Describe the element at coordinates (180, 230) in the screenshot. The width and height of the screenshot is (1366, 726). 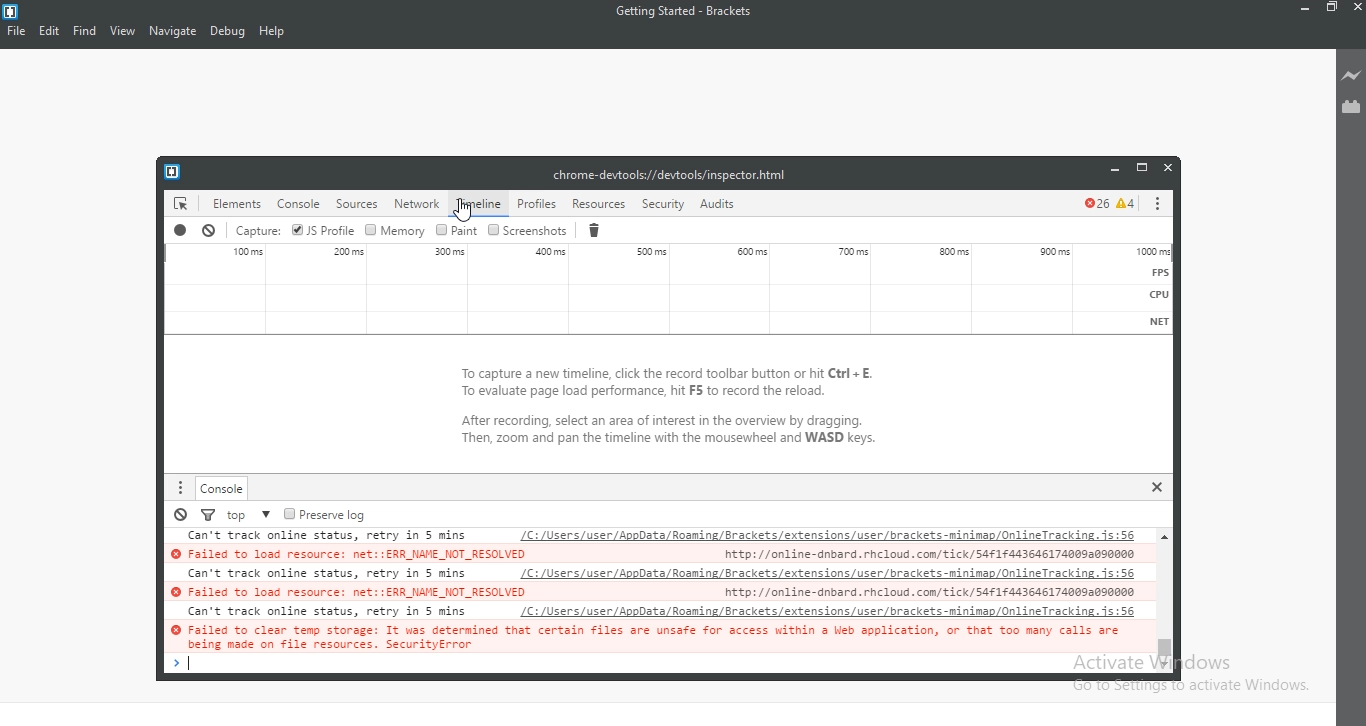
I see `Recording` at that location.